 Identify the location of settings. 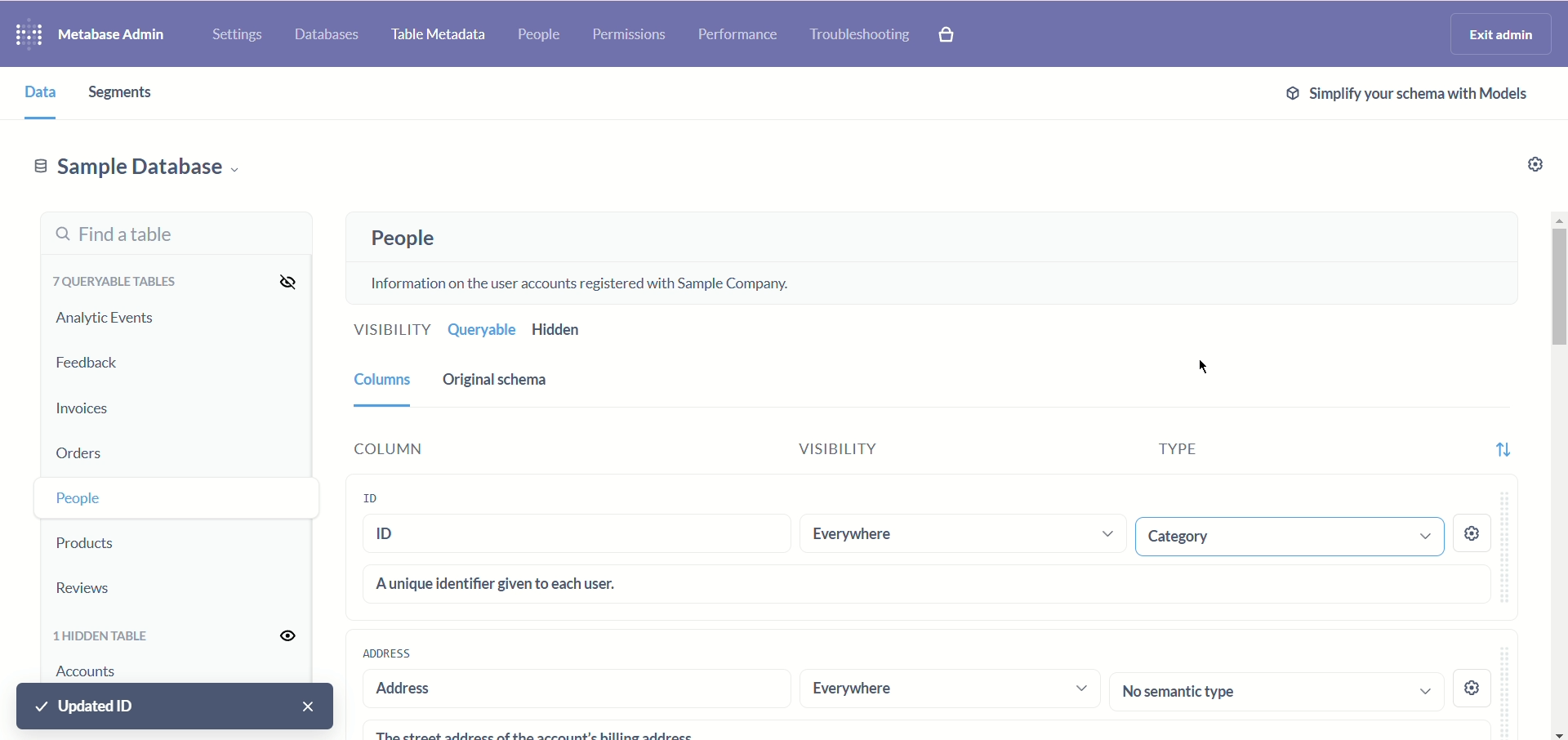
(1474, 536).